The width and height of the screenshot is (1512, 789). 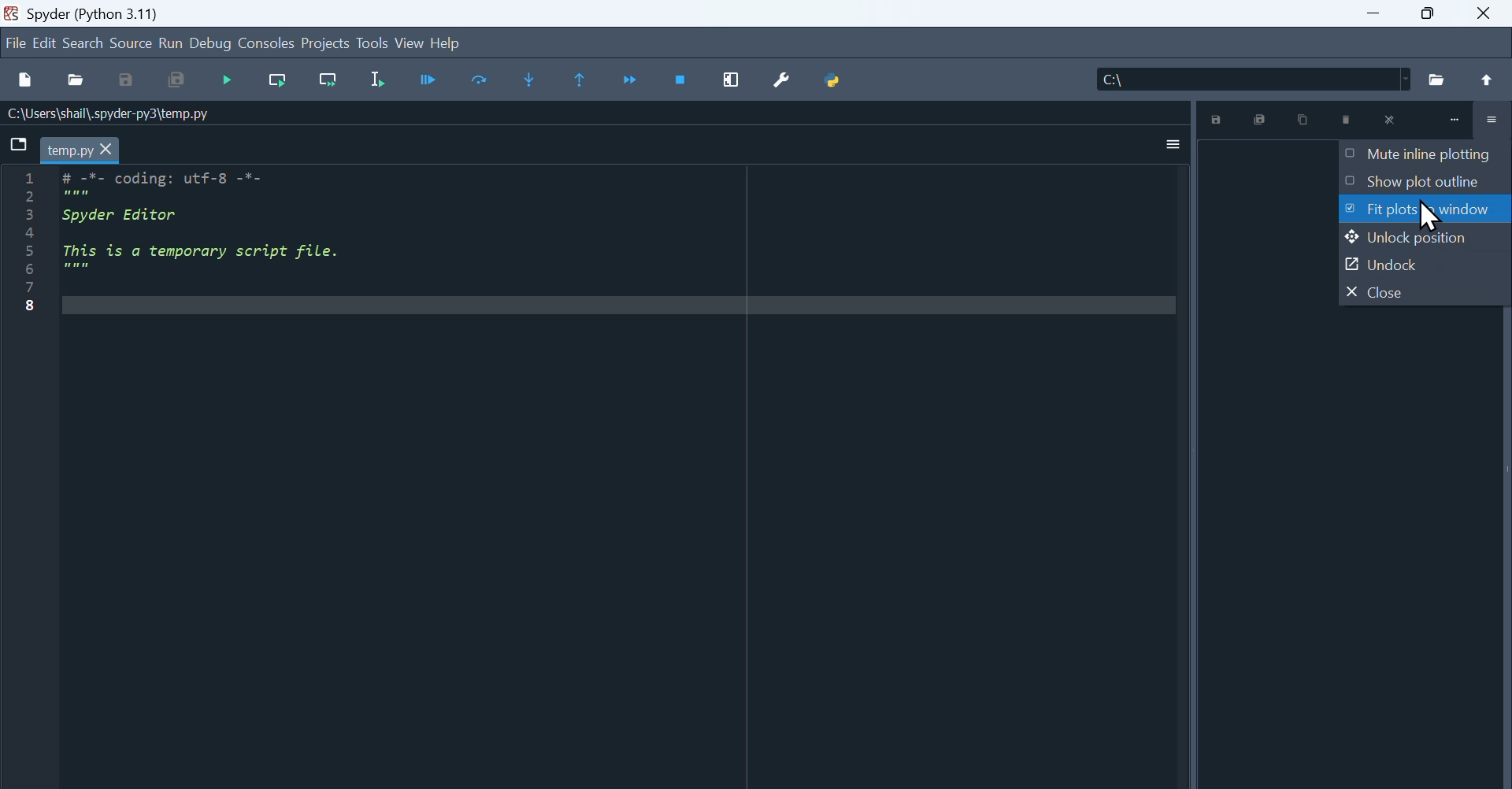 What do you see at coordinates (13, 13) in the screenshot?
I see `Spyder Desktop icon` at bounding box center [13, 13].